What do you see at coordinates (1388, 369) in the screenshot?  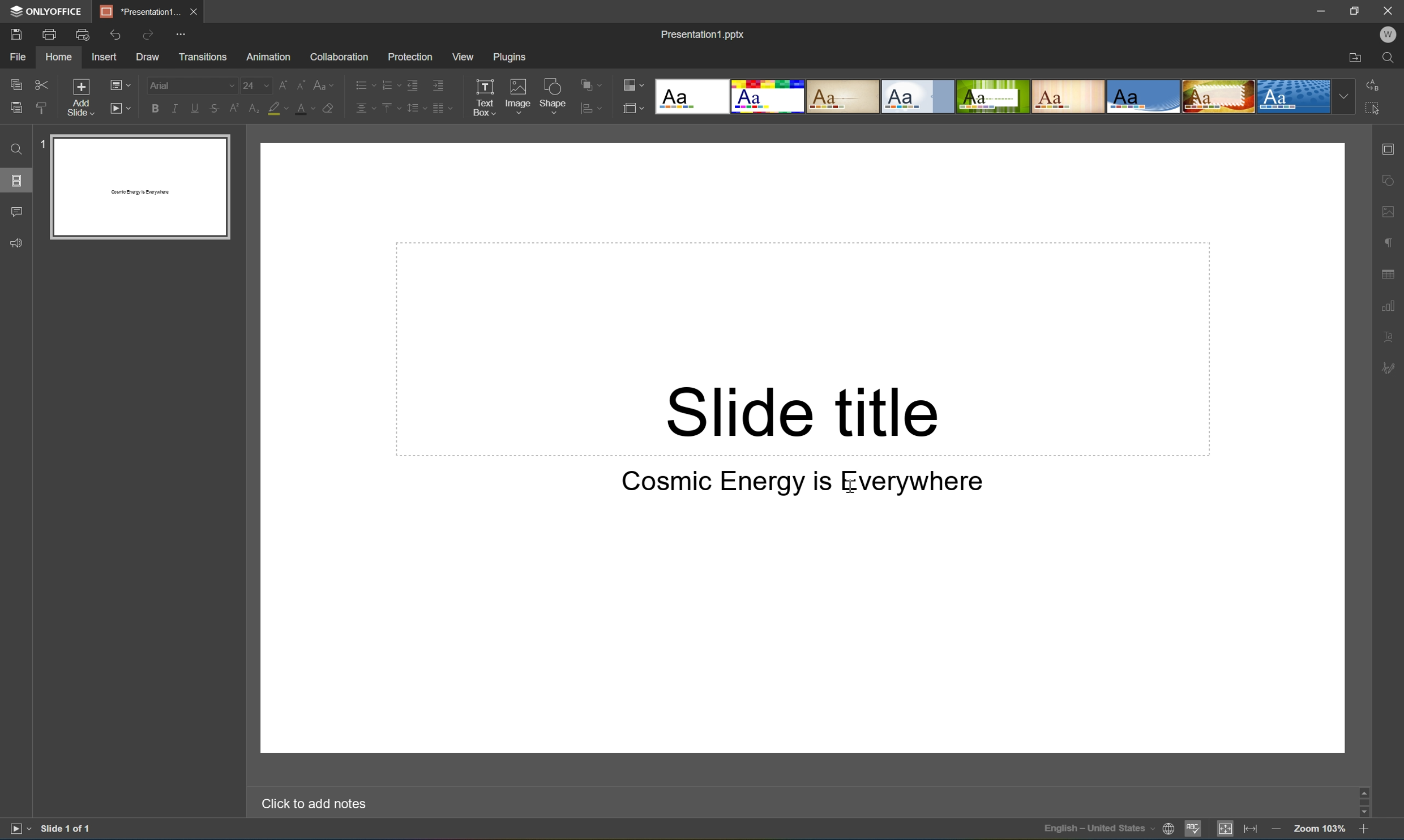 I see `Signature settings` at bounding box center [1388, 369].